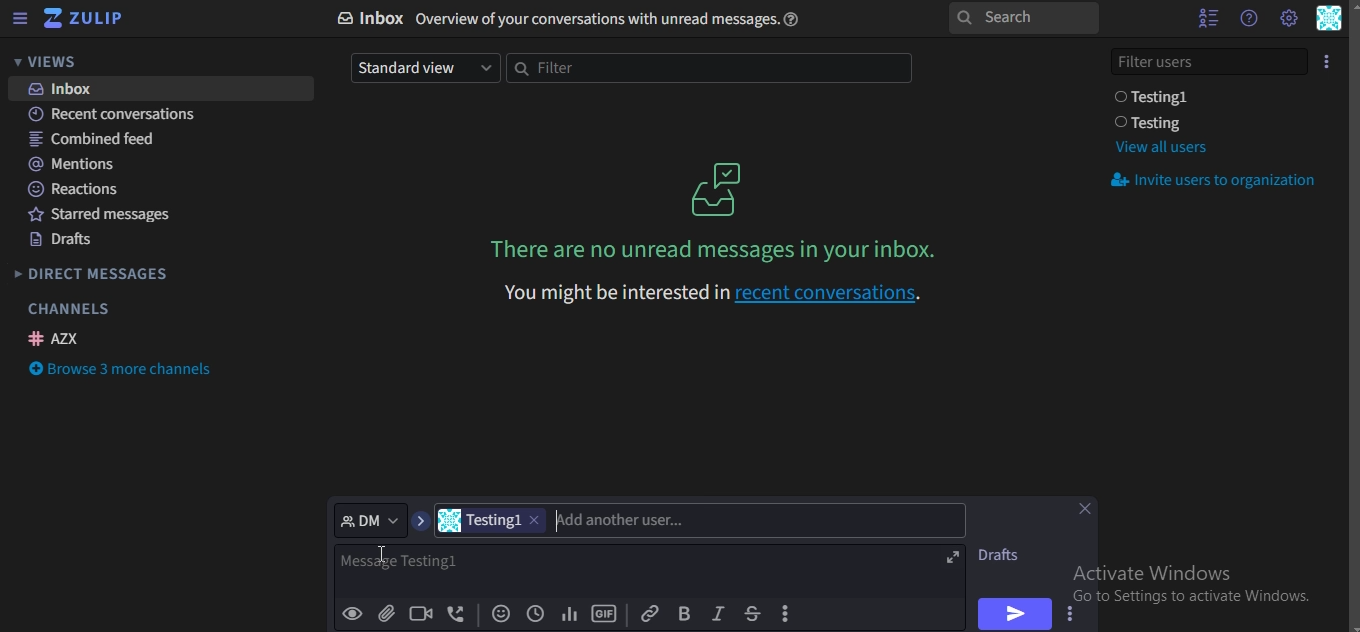  I want to click on filter users, so click(1211, 59).